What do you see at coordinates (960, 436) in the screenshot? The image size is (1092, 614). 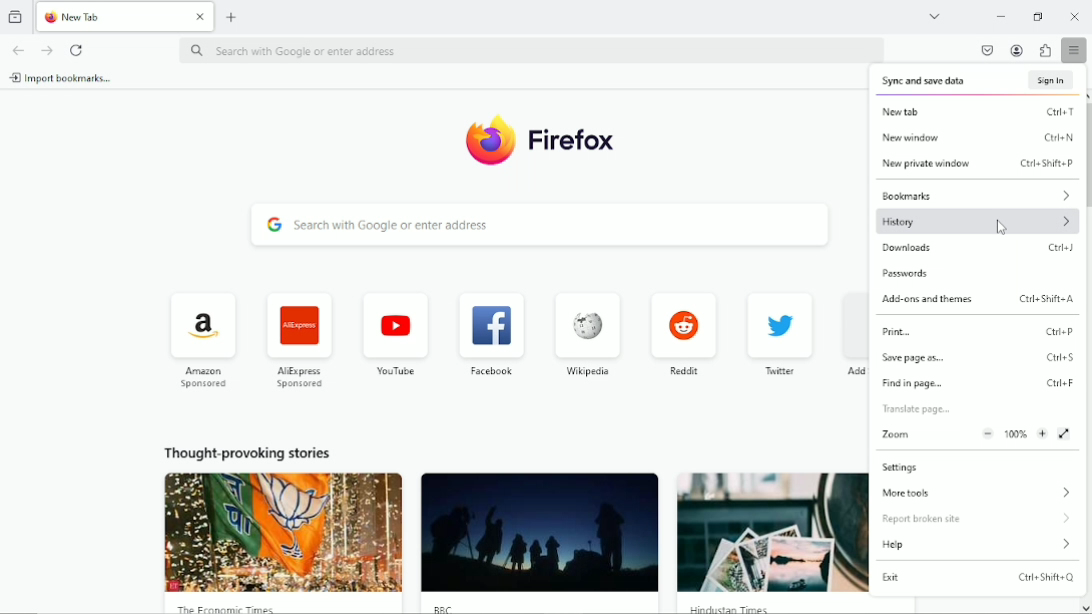 I see `Zoom` at bounding box center [960, 436].